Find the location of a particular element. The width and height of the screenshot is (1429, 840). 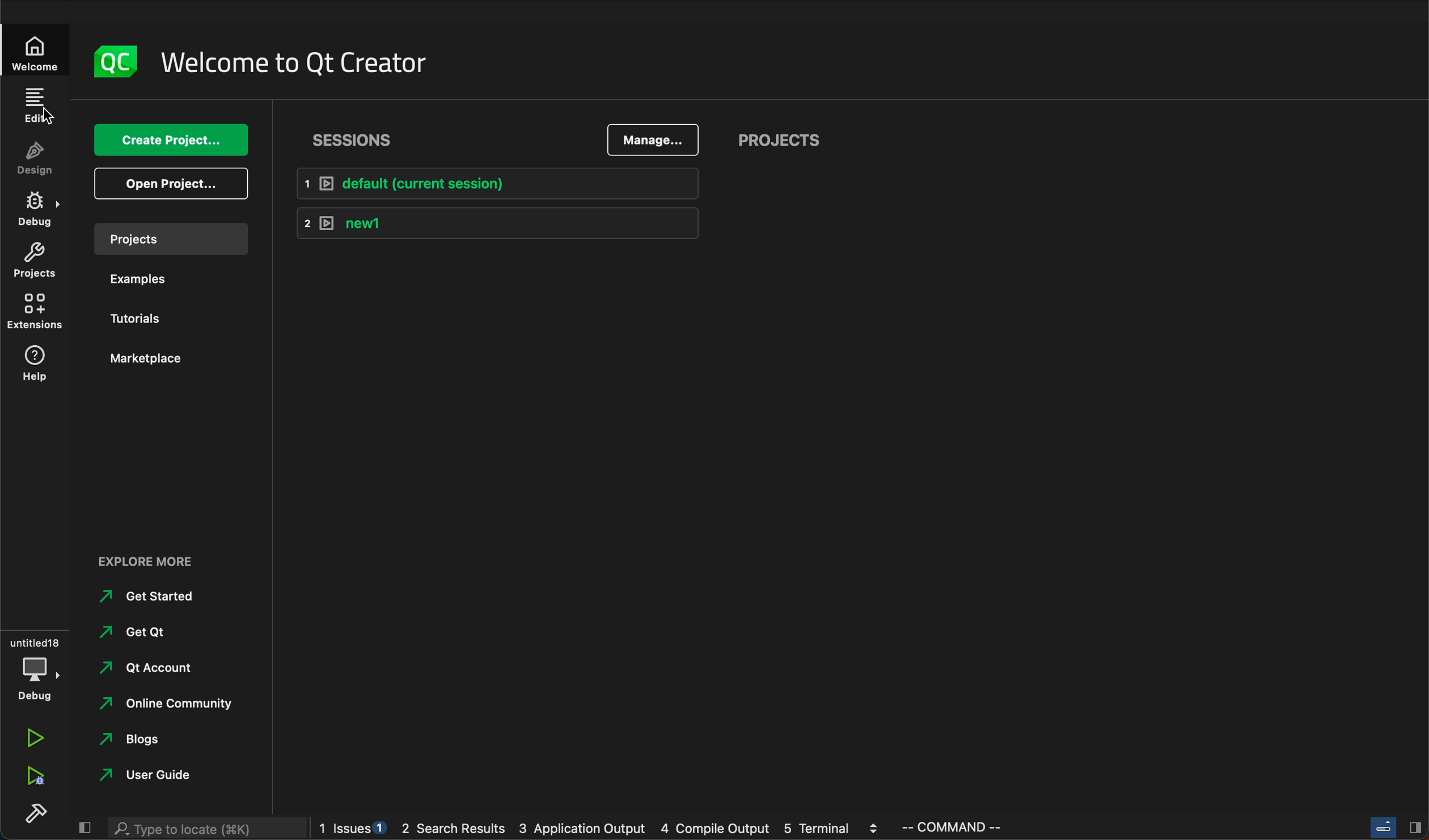

marketplace is located at coordinates (148, 359).